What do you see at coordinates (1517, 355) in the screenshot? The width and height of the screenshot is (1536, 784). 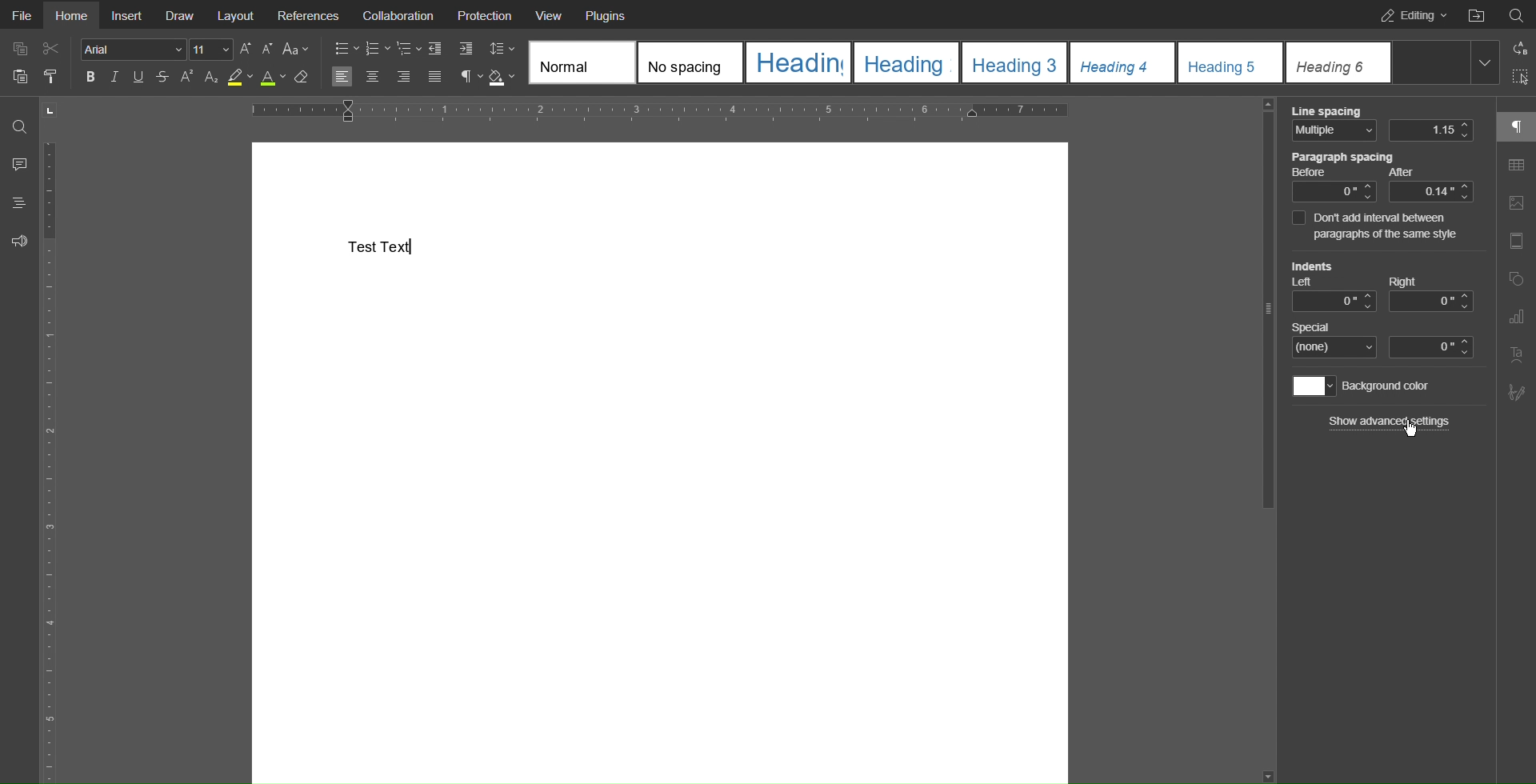 I see `Text Art` at bounding box center [1517, 355].